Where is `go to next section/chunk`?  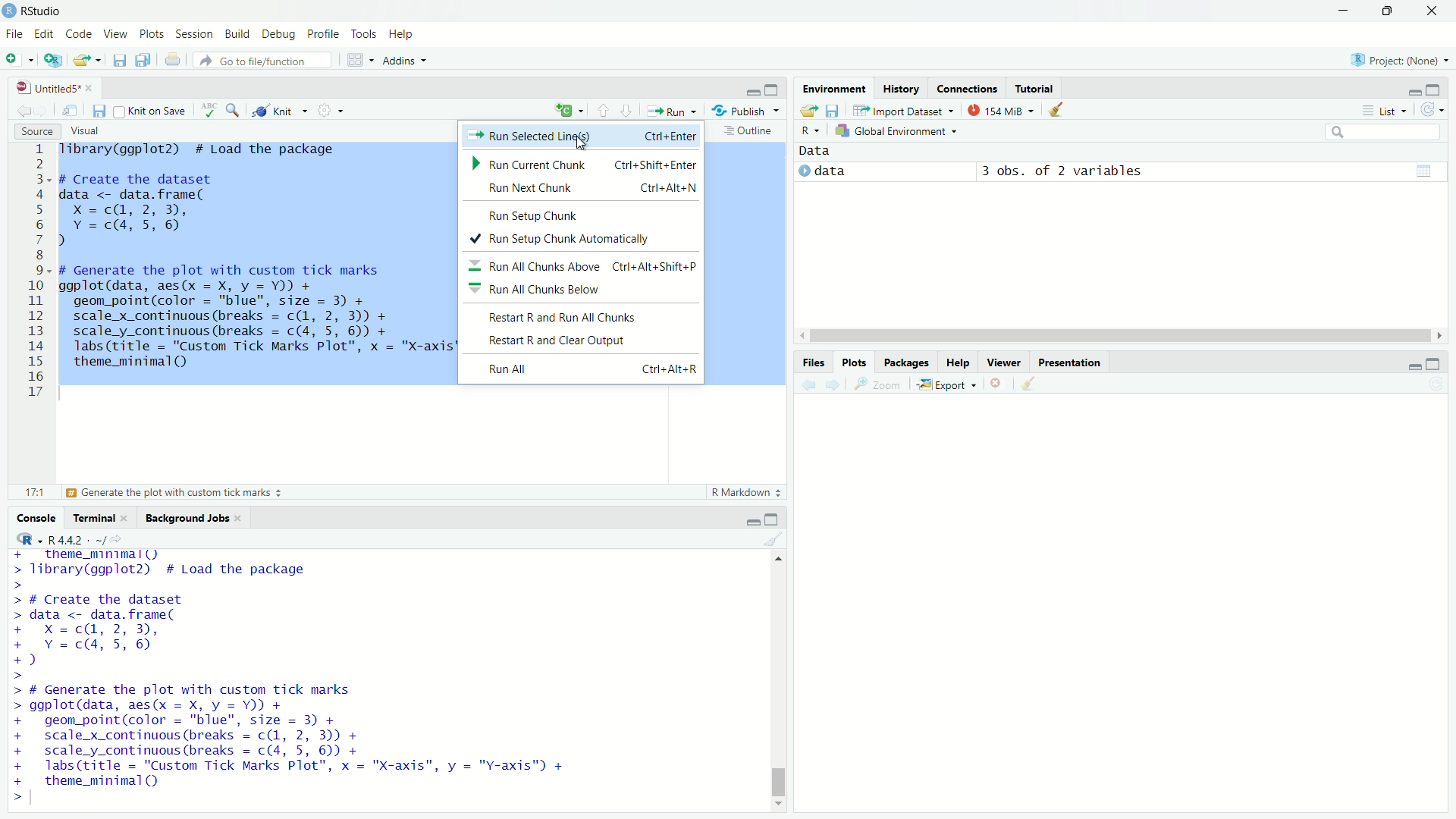
go to next section/chunk is located at coordinates (631, 112).